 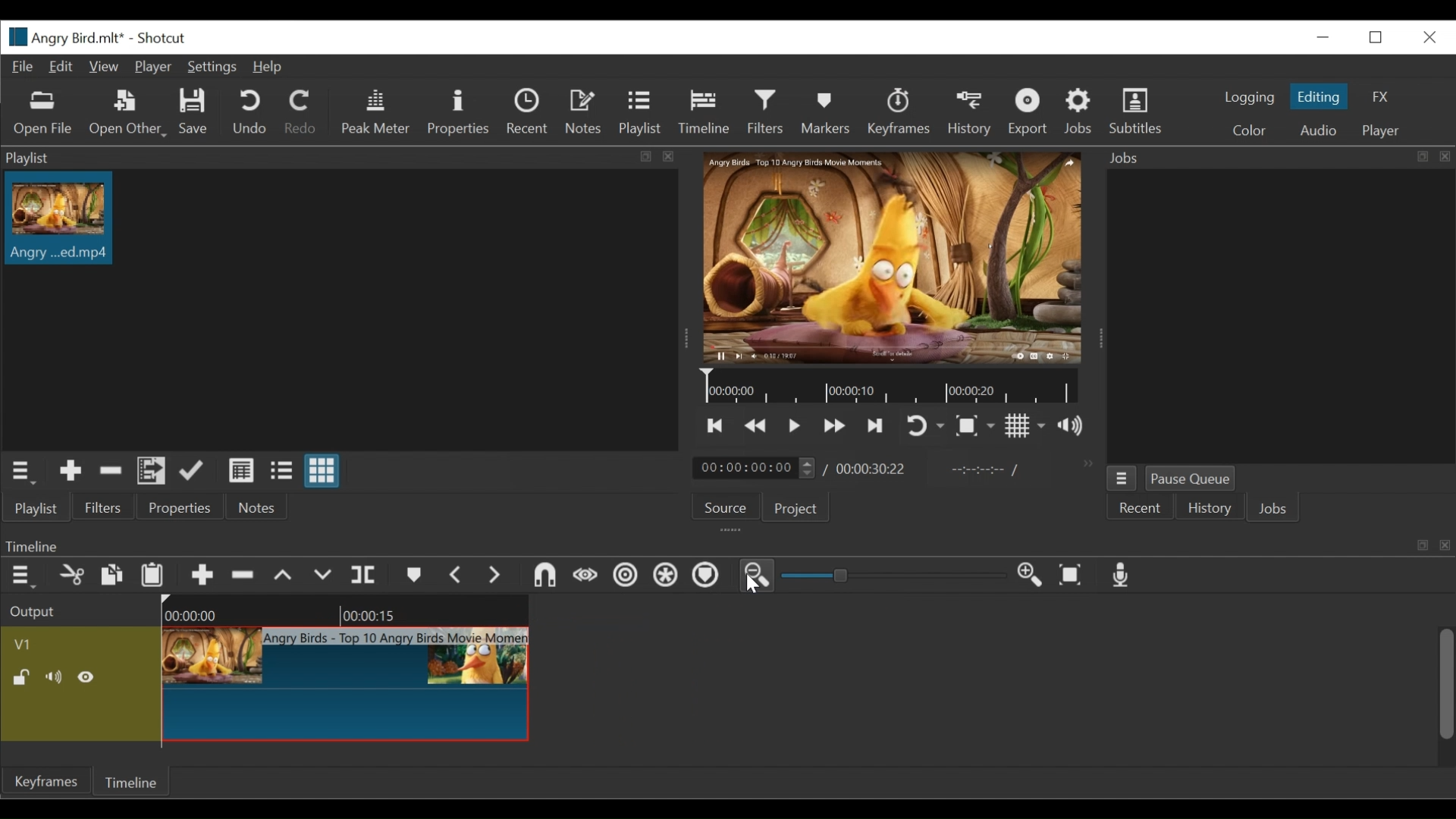 What do you see at coordinates (242, 472) in the screenshot?
I see `View as detail` at bounding box center [242, 472].